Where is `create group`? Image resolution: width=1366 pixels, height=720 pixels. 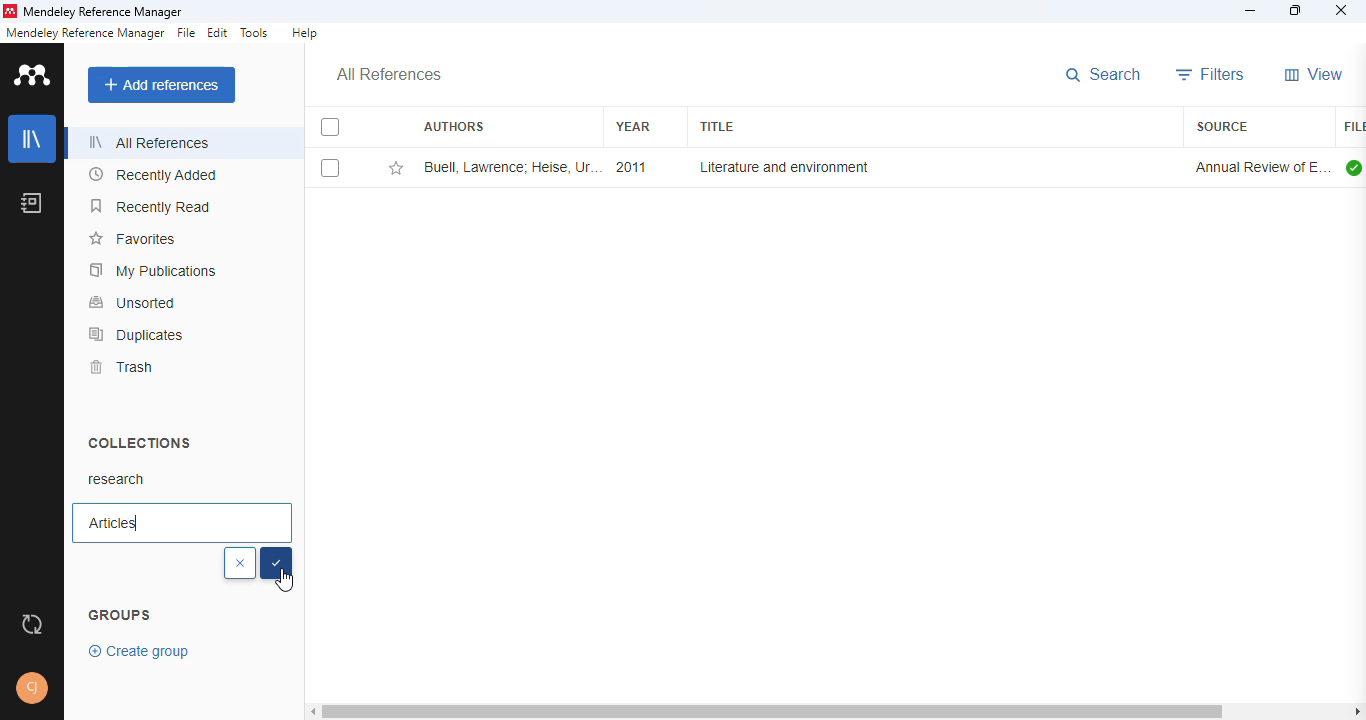 create group is located at coordinates (141, 651).